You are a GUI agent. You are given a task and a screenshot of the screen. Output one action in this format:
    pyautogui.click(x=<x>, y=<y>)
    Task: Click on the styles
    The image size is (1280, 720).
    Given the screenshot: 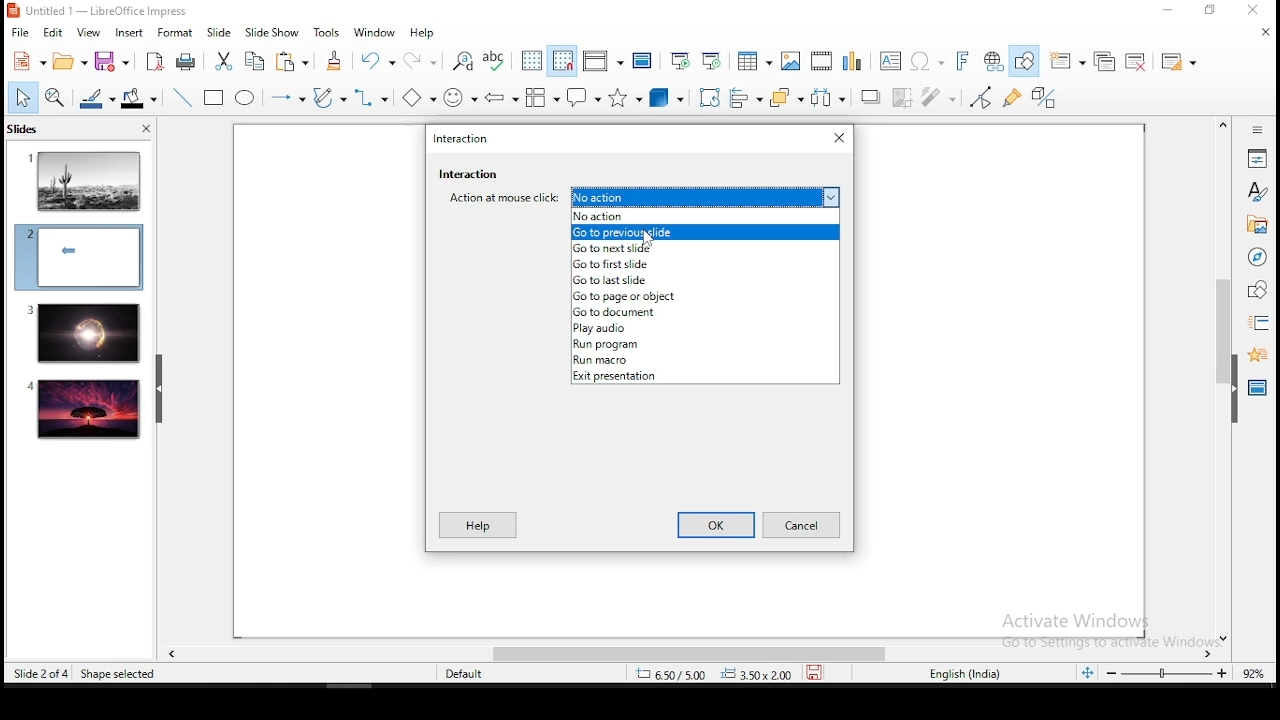 What is the action you would take?
    pyautogui.click(x=1257, y=191)
    